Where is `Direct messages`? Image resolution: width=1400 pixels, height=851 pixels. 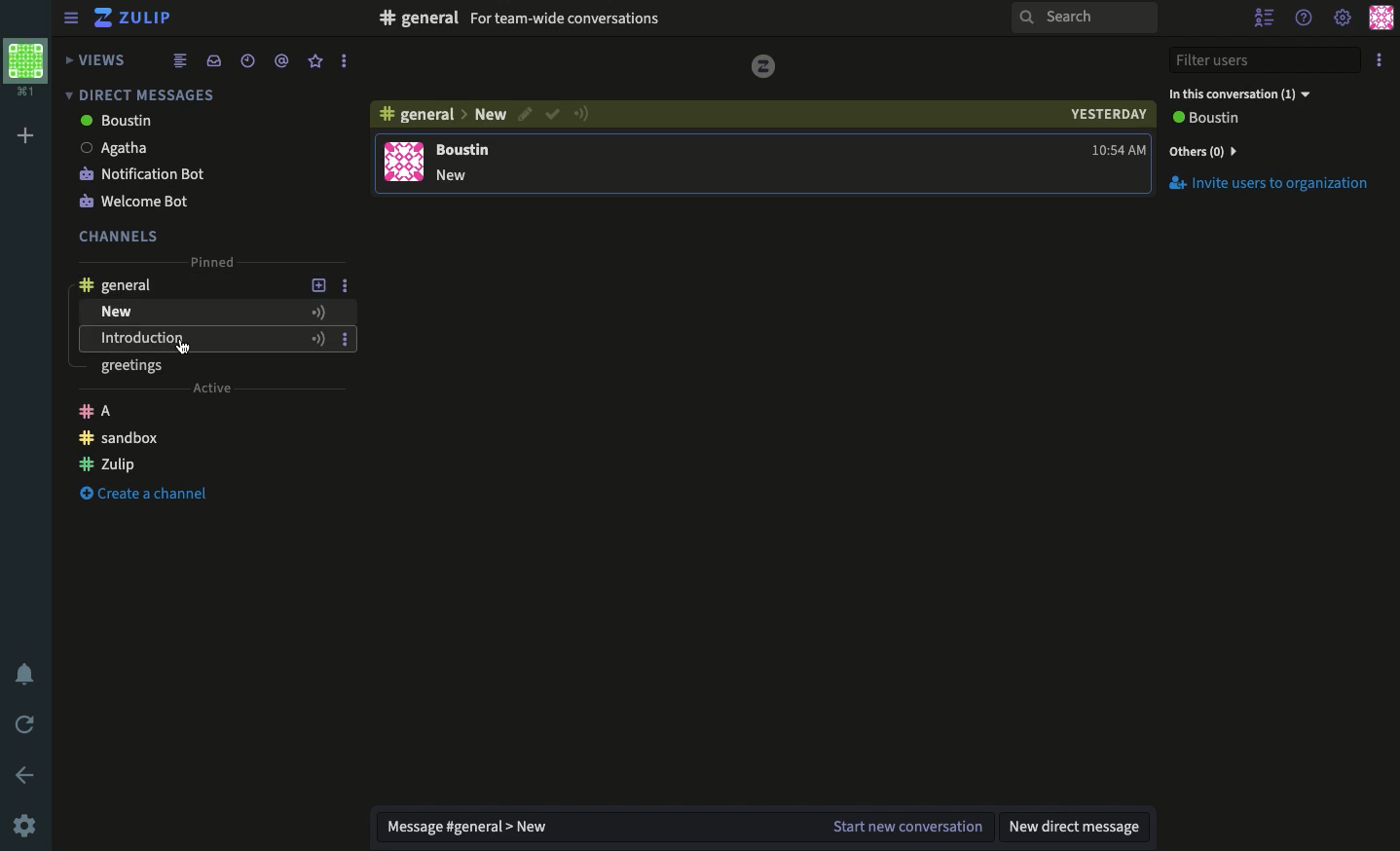 Direct messages is located at coordinates (136, 94).